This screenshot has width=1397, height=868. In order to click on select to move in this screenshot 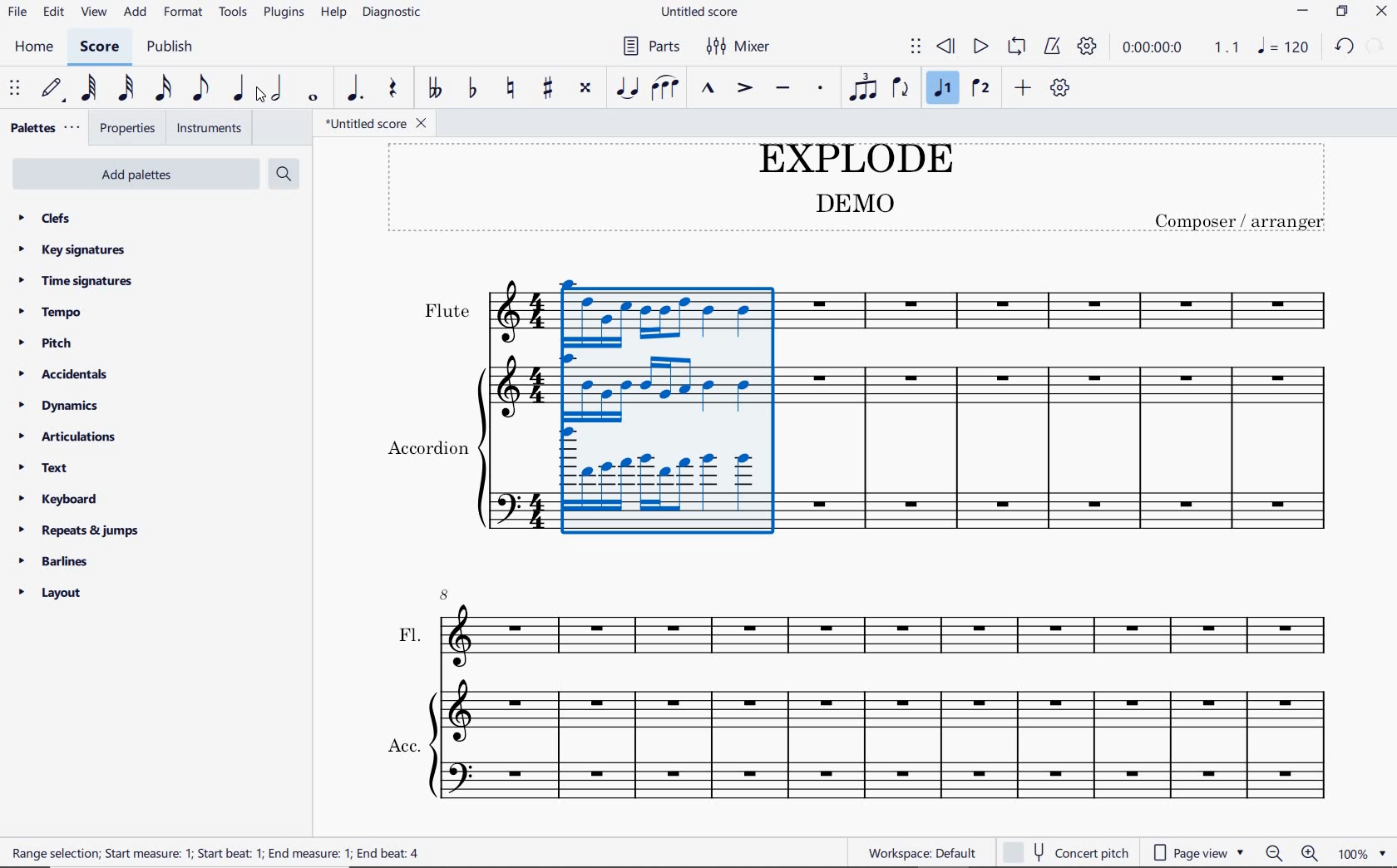, I will do `click(14, 91)`.